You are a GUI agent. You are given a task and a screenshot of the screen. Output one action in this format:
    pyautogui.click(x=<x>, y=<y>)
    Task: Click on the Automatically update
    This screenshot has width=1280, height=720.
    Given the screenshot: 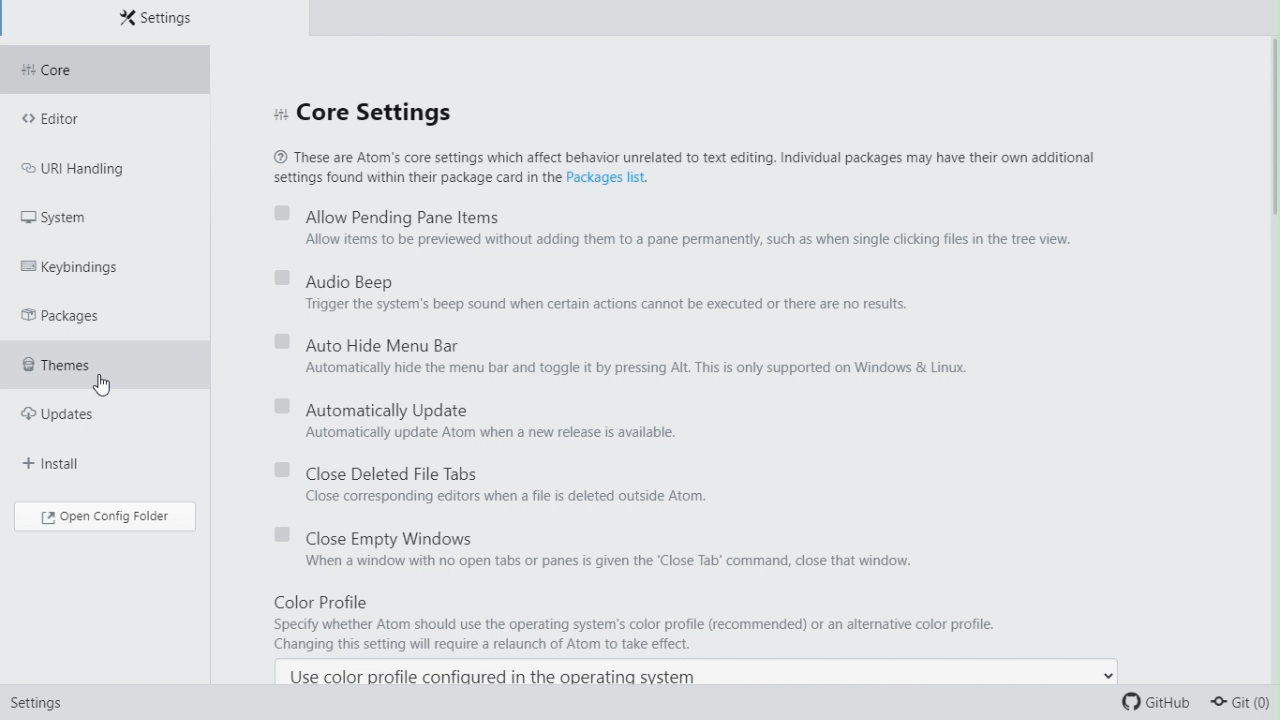 What is the action you would take?
    pyautogui.click(x=539, y=408)
    